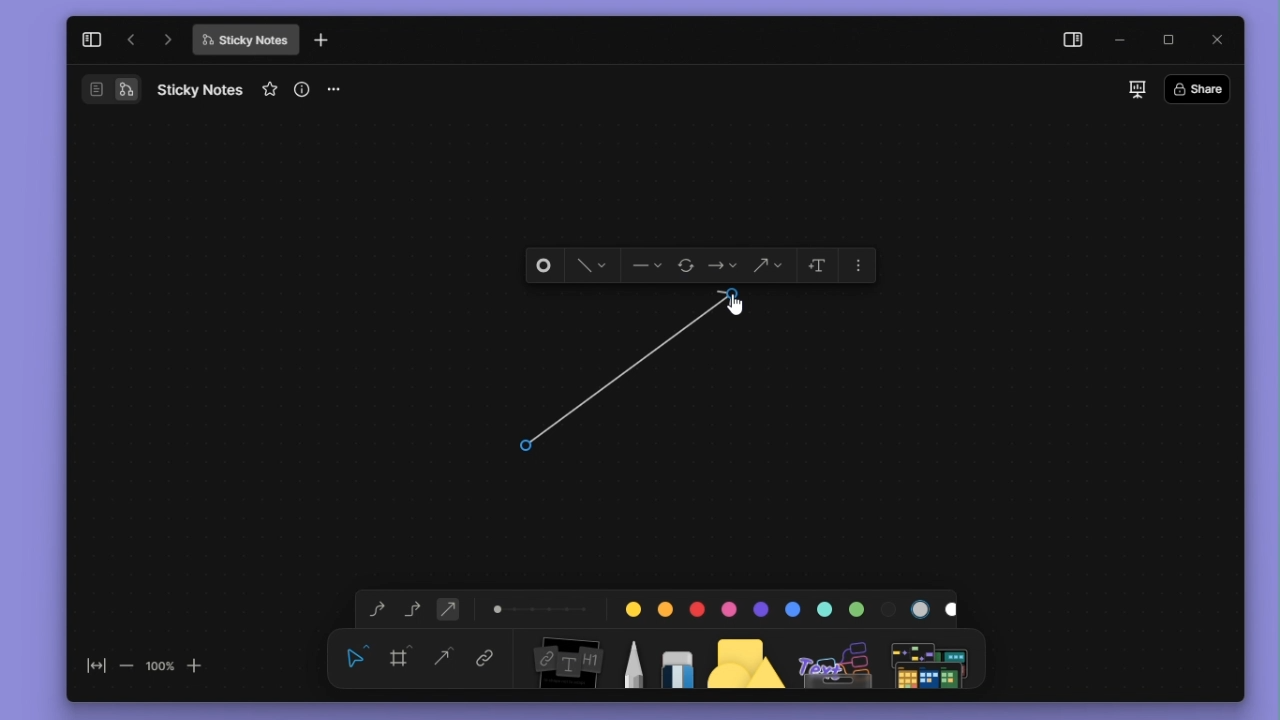 The height and width of the screenshot is (720, 1280). What do you see at coordinates (815, 265) in the screenshot?
I see `add text` at bounding box center [815, 265].